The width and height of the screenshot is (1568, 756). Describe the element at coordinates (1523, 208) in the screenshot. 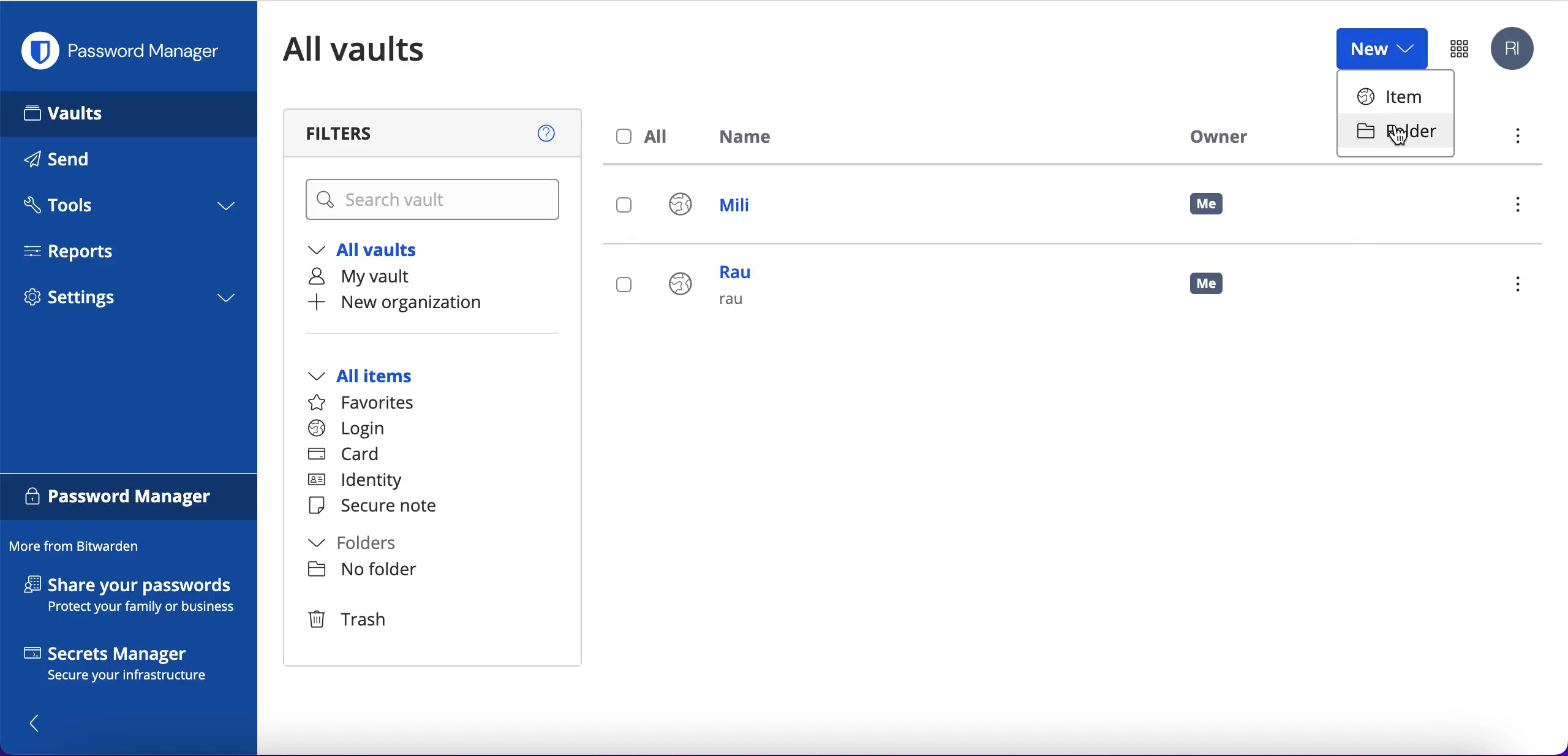

I see `menu ` at that location.